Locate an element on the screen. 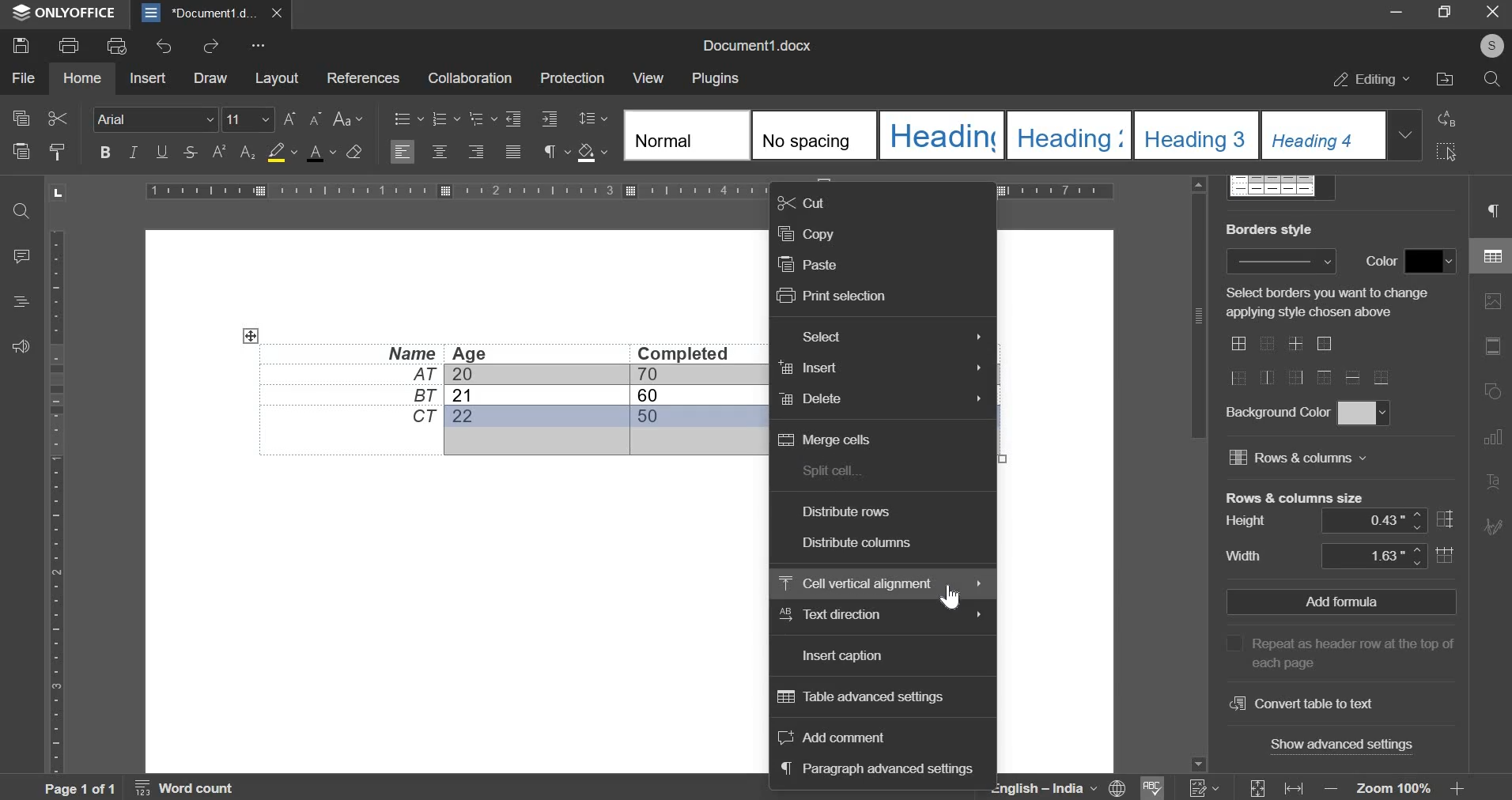 This screenshot has height=800, width=1512. copy style is located at coordinates (59, 150).